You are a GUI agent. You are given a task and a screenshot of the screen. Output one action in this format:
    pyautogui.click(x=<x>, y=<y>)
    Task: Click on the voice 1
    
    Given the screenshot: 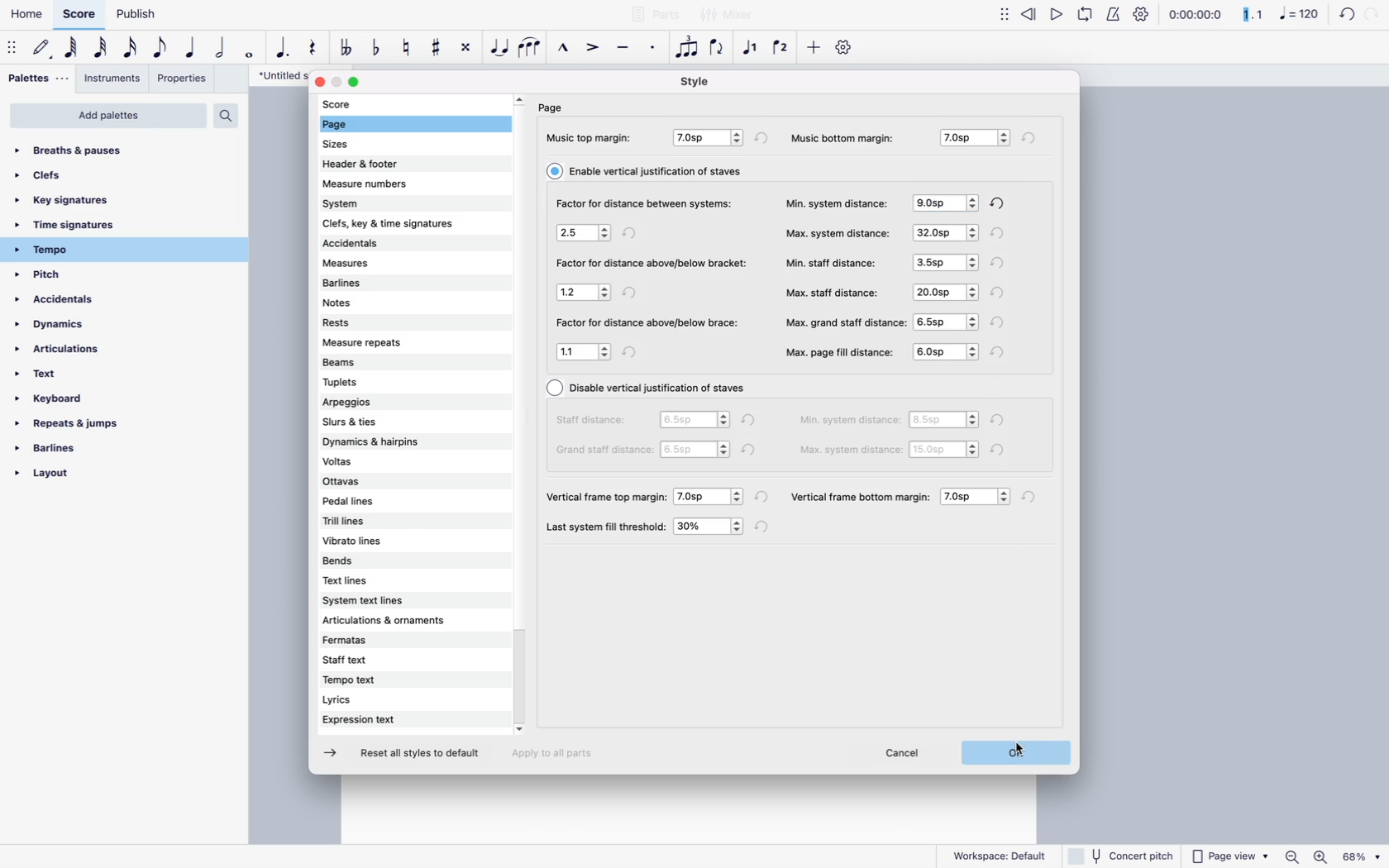 What is the action you would take?
    pyautogui.click(x=753, y=48)
    